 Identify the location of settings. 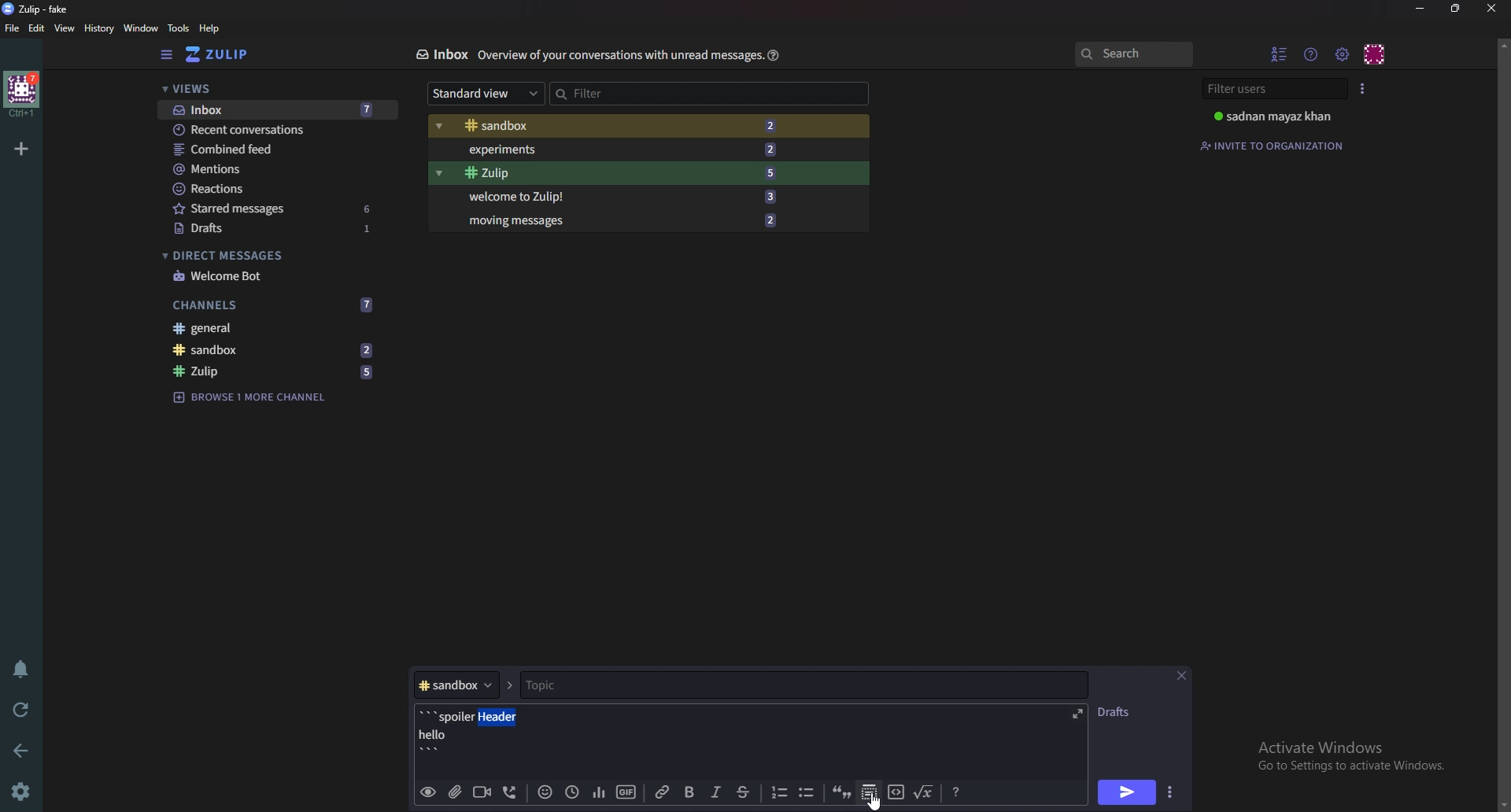
(24, 789).